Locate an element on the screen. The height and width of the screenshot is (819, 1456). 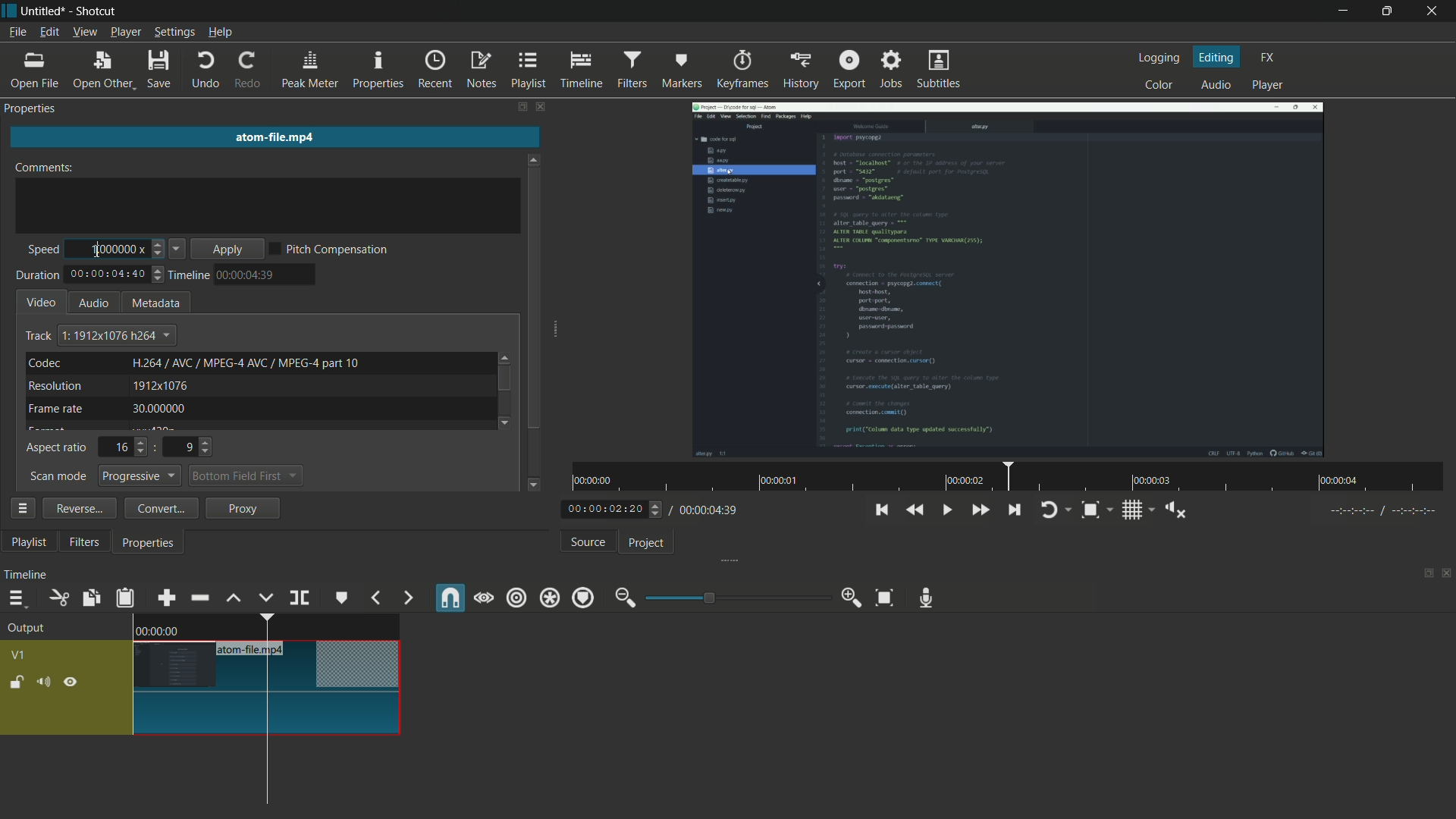
subtitles is located at coordinates (940, 68).